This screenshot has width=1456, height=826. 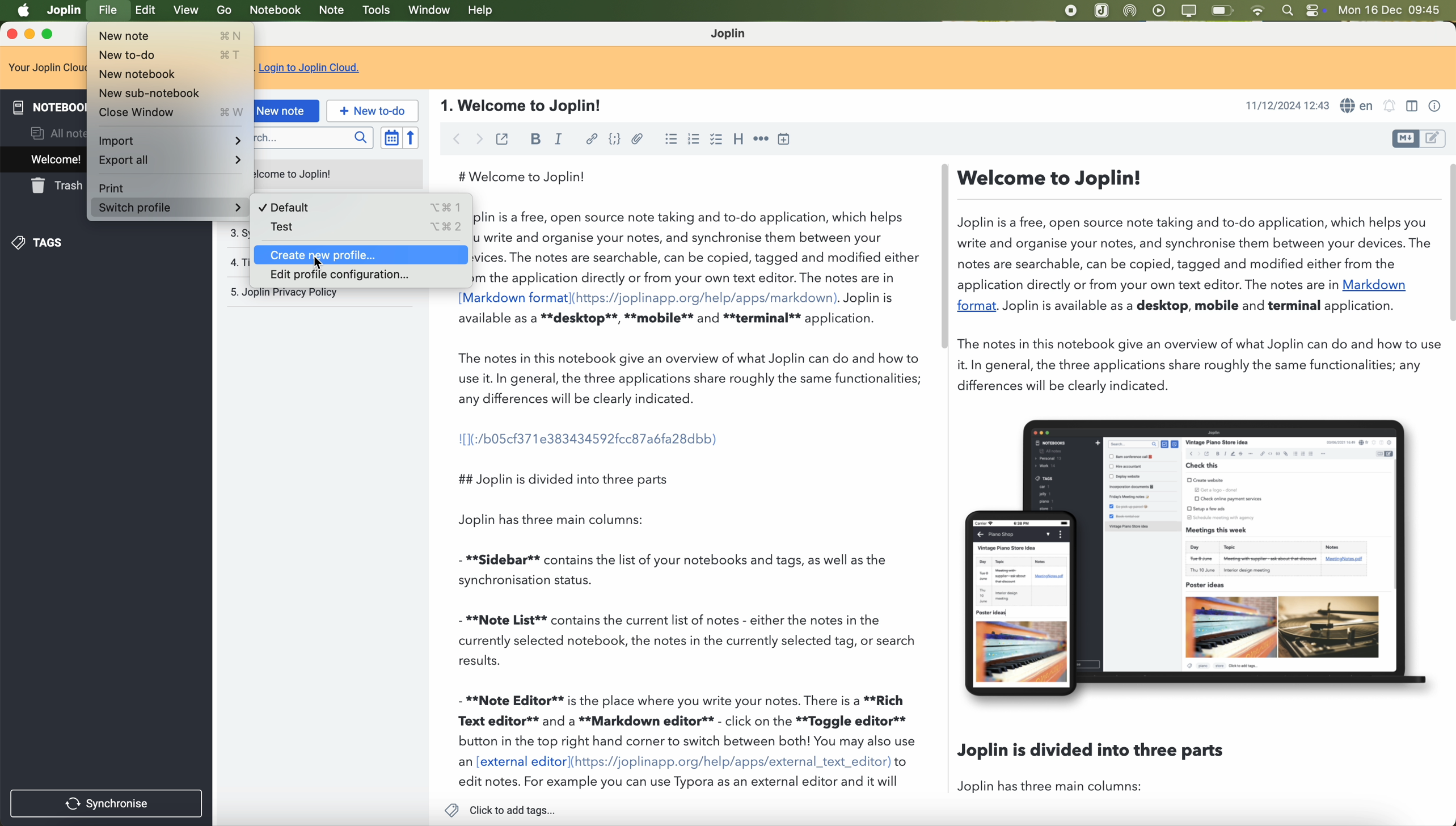 I want to click on Joplin is divided into three parts
Joplin has three main columns:, so click(x=1100, y=772).